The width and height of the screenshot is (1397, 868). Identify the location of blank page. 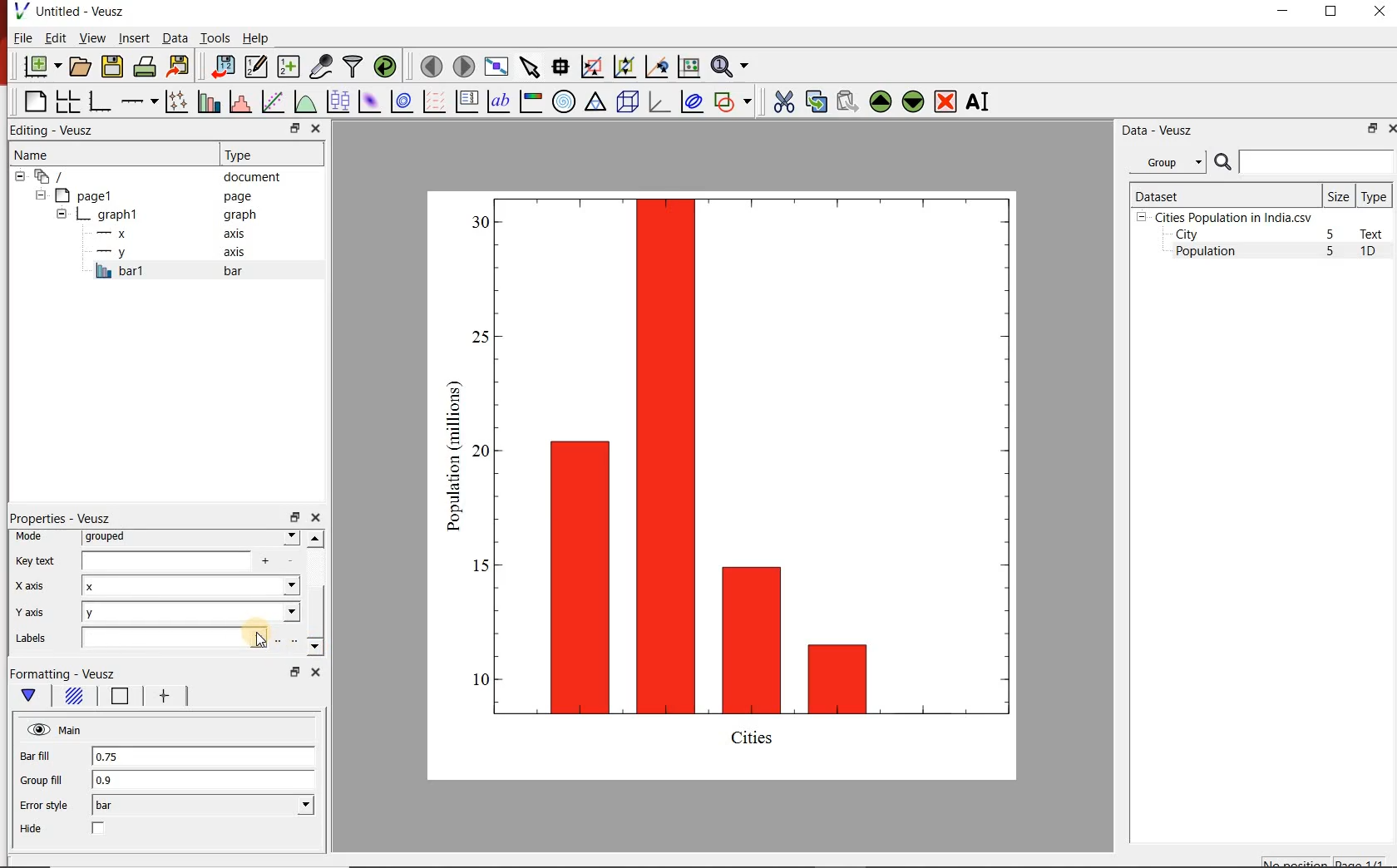
(33, 102).